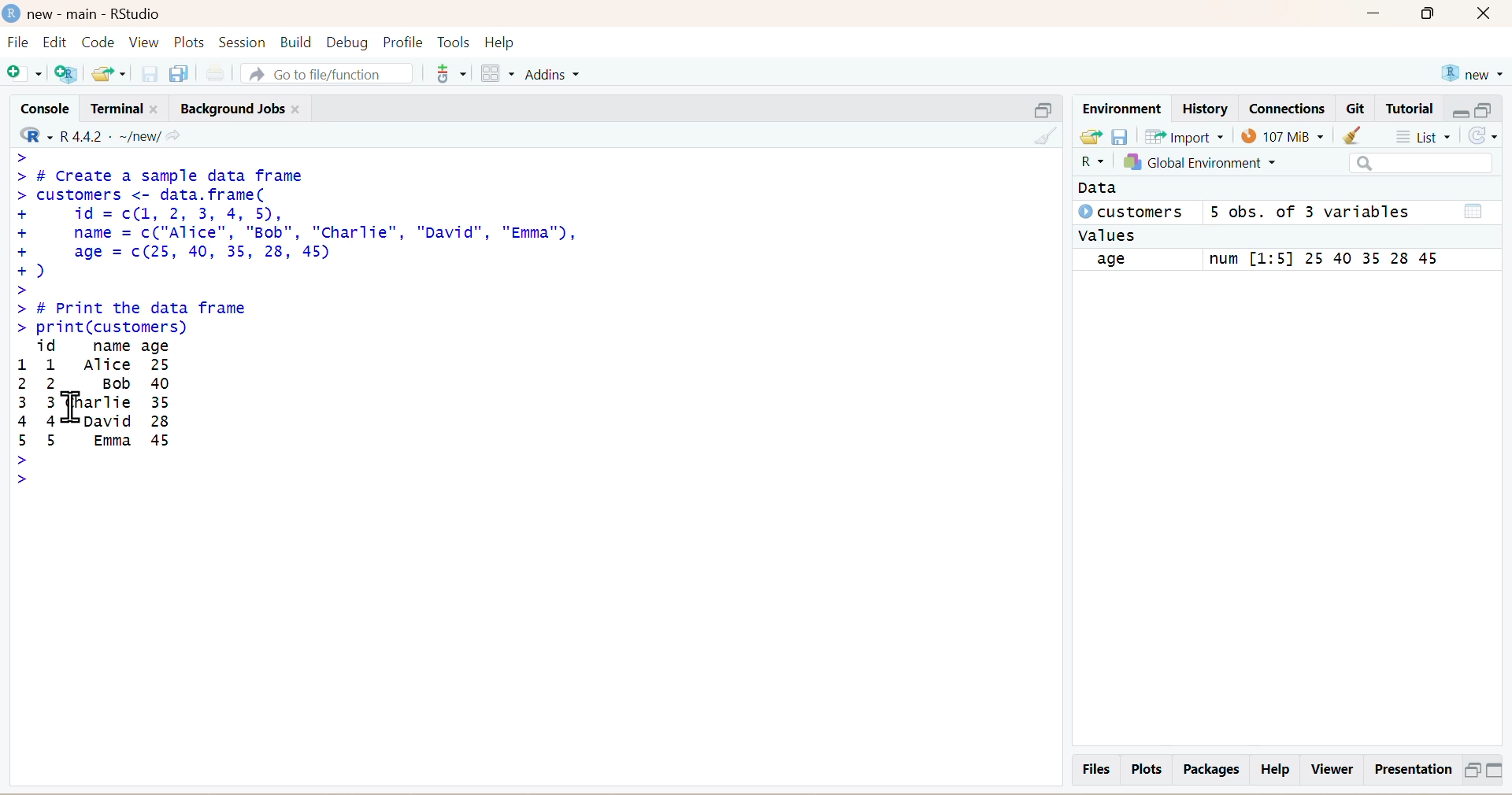  I want to click on Session, so click(242, 40).